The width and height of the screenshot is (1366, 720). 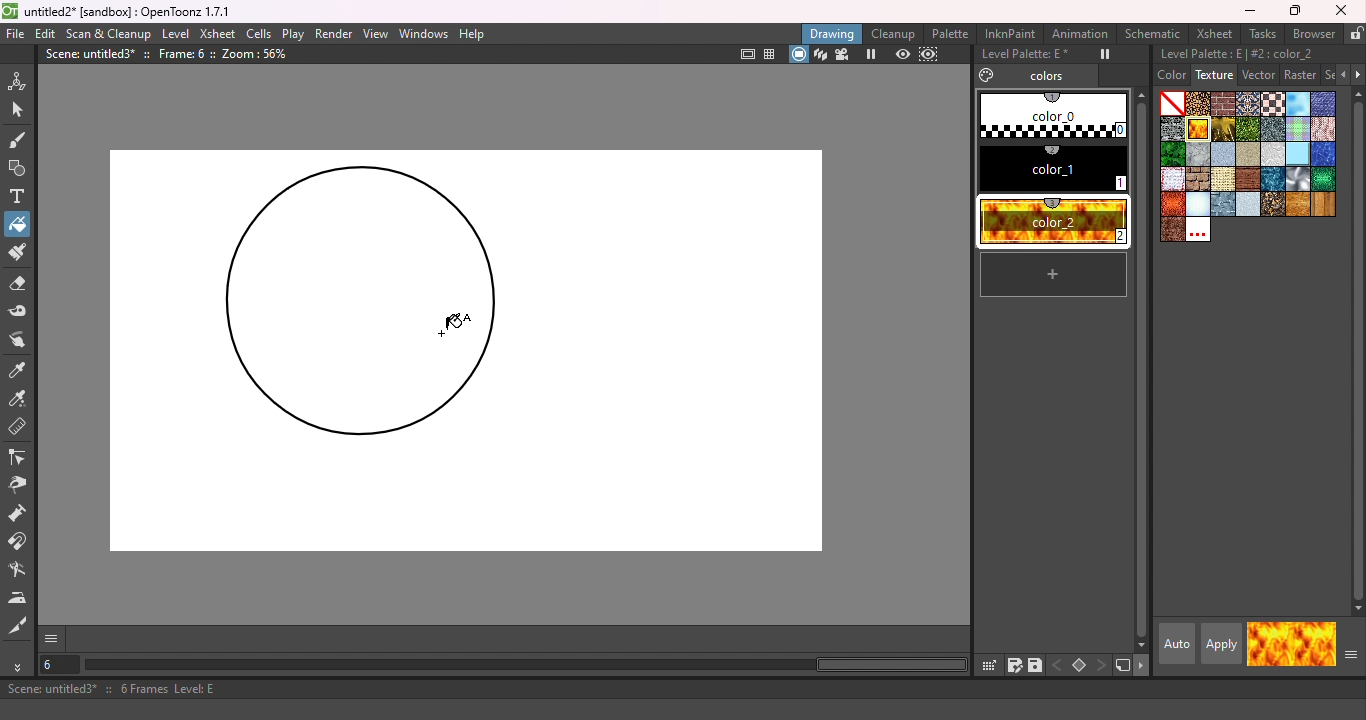 I want to click on Freeze, so click(x=1099, y=55).